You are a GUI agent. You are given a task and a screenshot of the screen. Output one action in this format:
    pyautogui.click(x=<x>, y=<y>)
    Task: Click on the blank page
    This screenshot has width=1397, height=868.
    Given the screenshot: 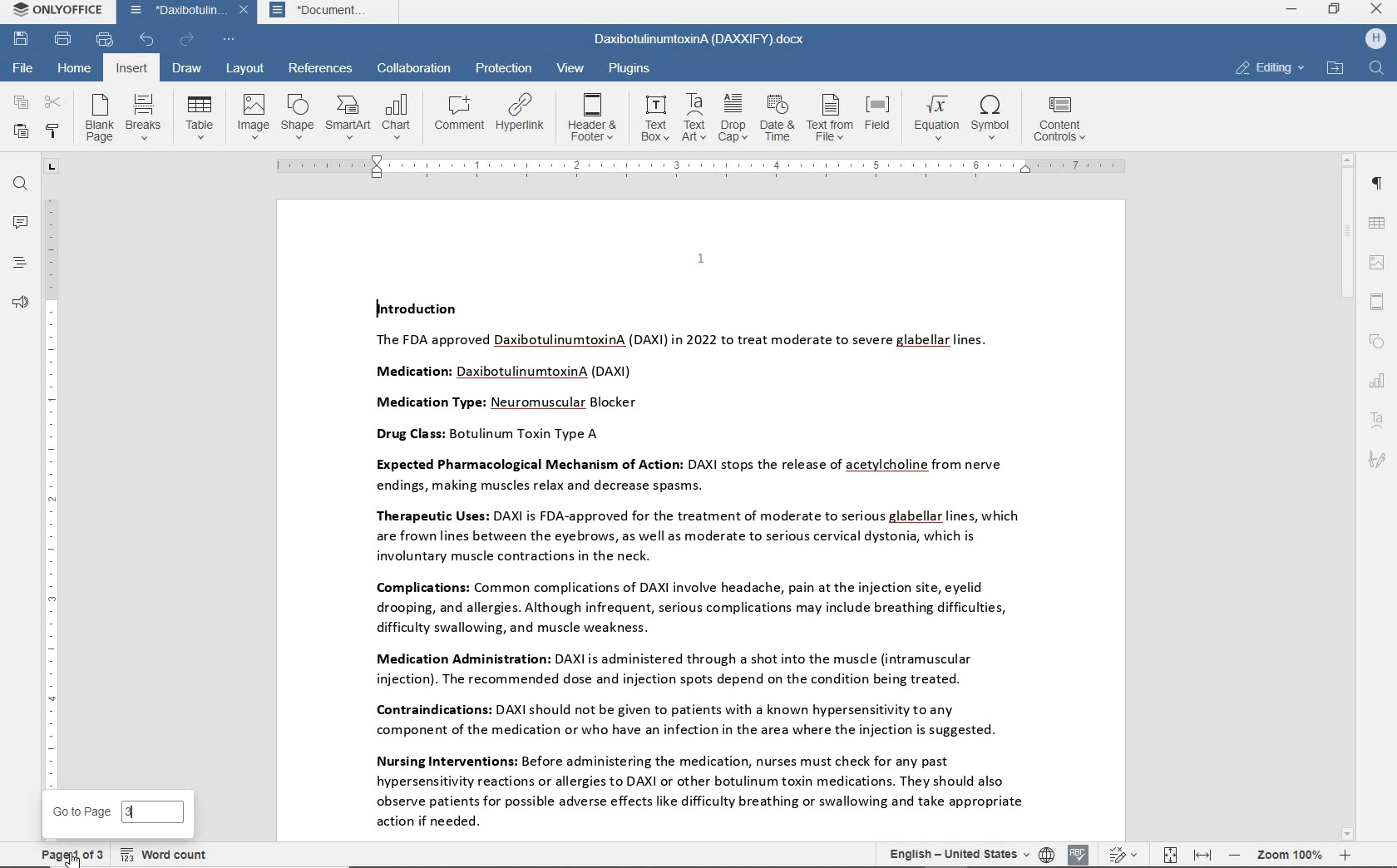 What is the action you would take?
    pyautogui.click(x=98, y=118)
    